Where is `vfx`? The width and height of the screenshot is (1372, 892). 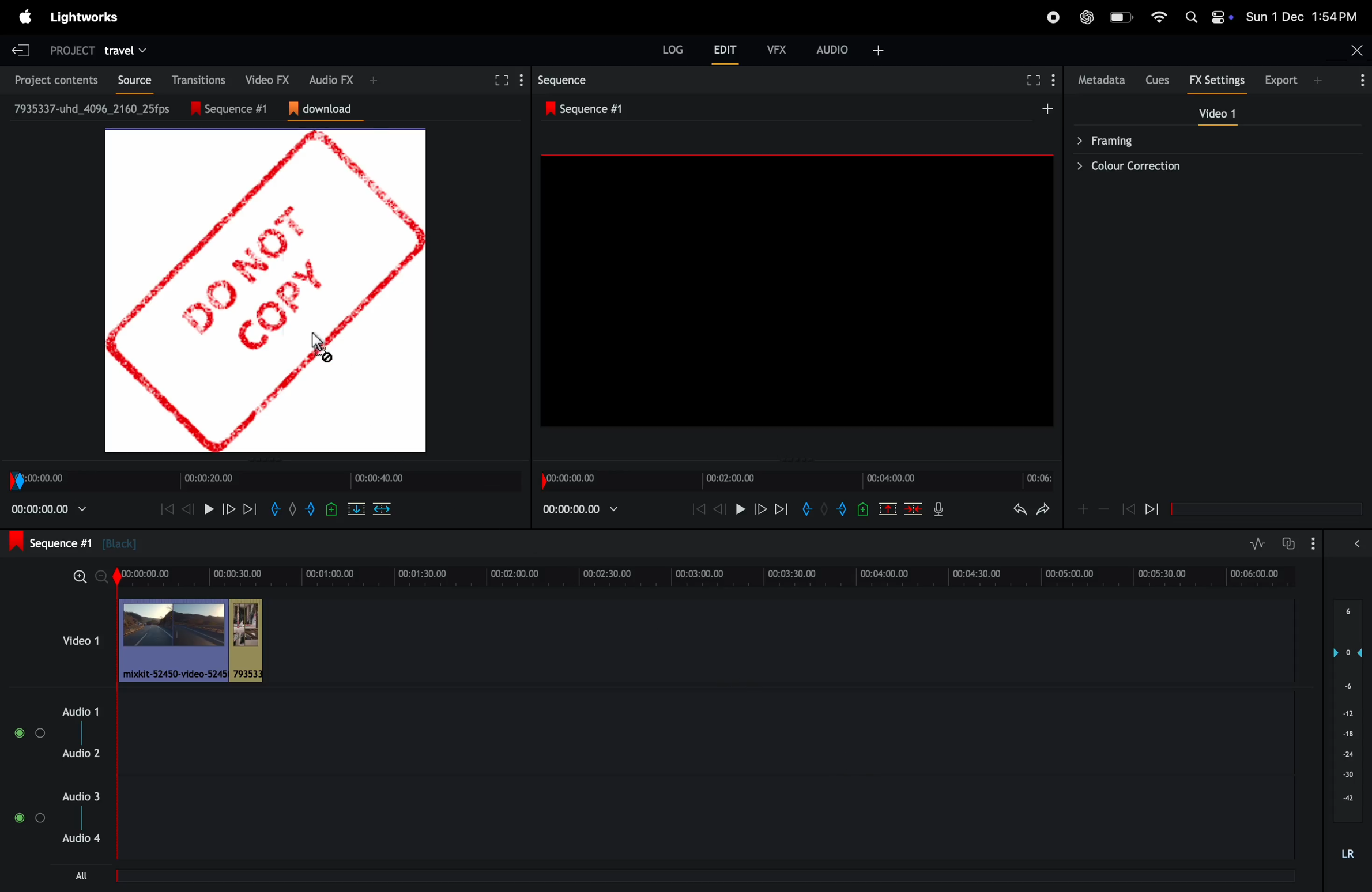
vfx is located at coordinates (777, 50).